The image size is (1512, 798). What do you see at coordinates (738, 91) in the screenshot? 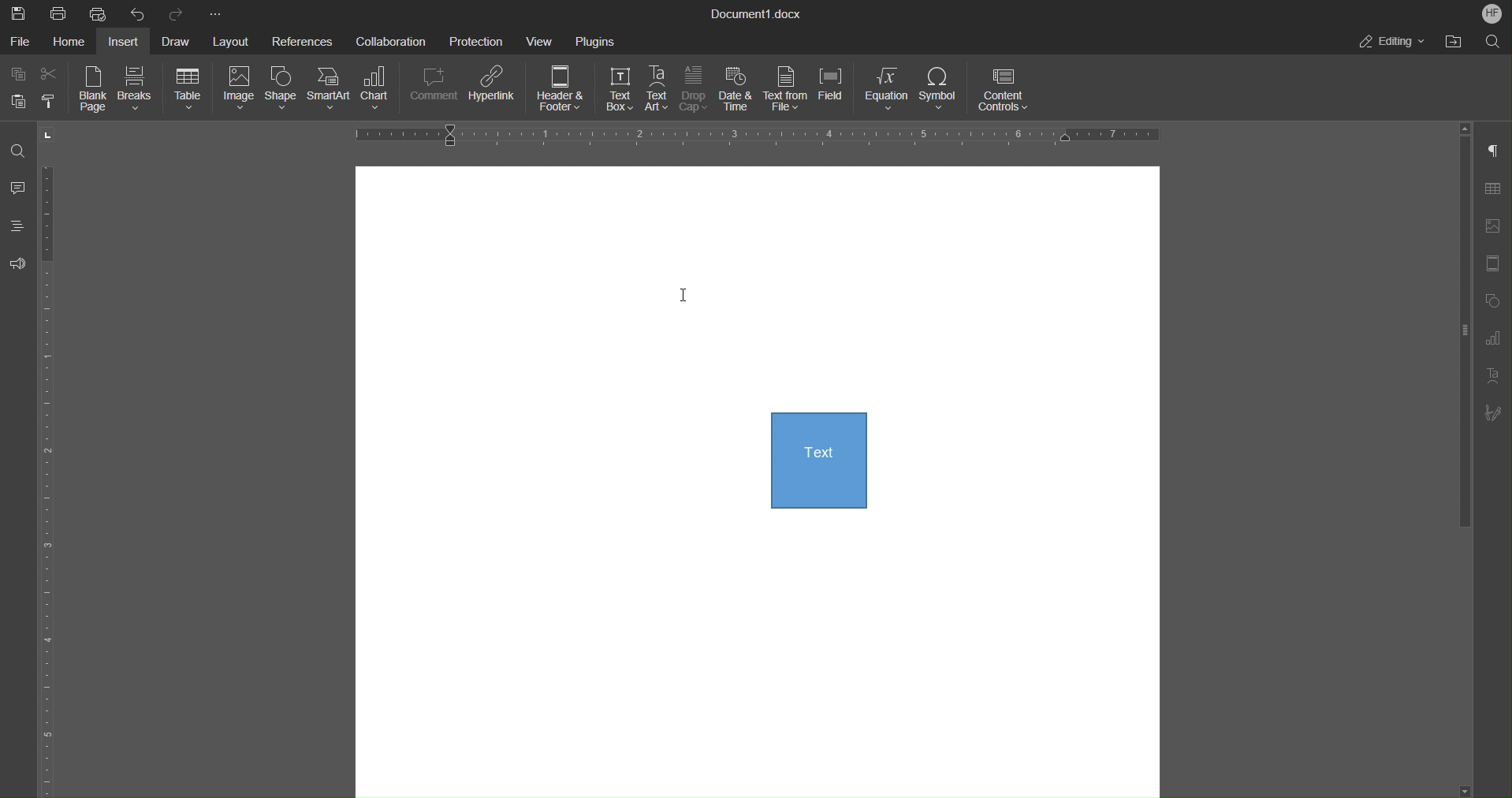
I see `Date & Time` at bounding box center [738, 91].